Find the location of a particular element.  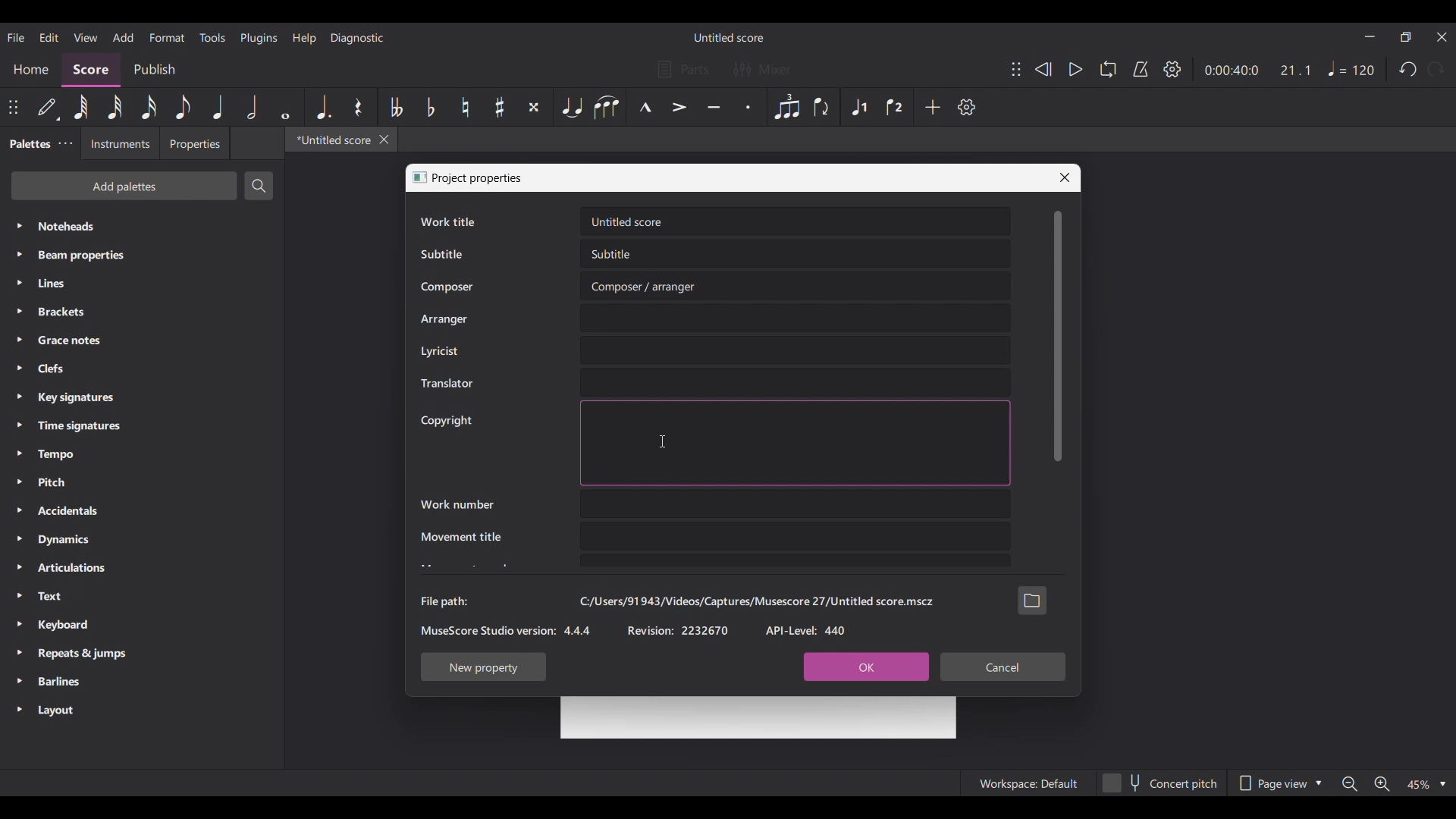

Window logo is located at coordinates (419, 177).